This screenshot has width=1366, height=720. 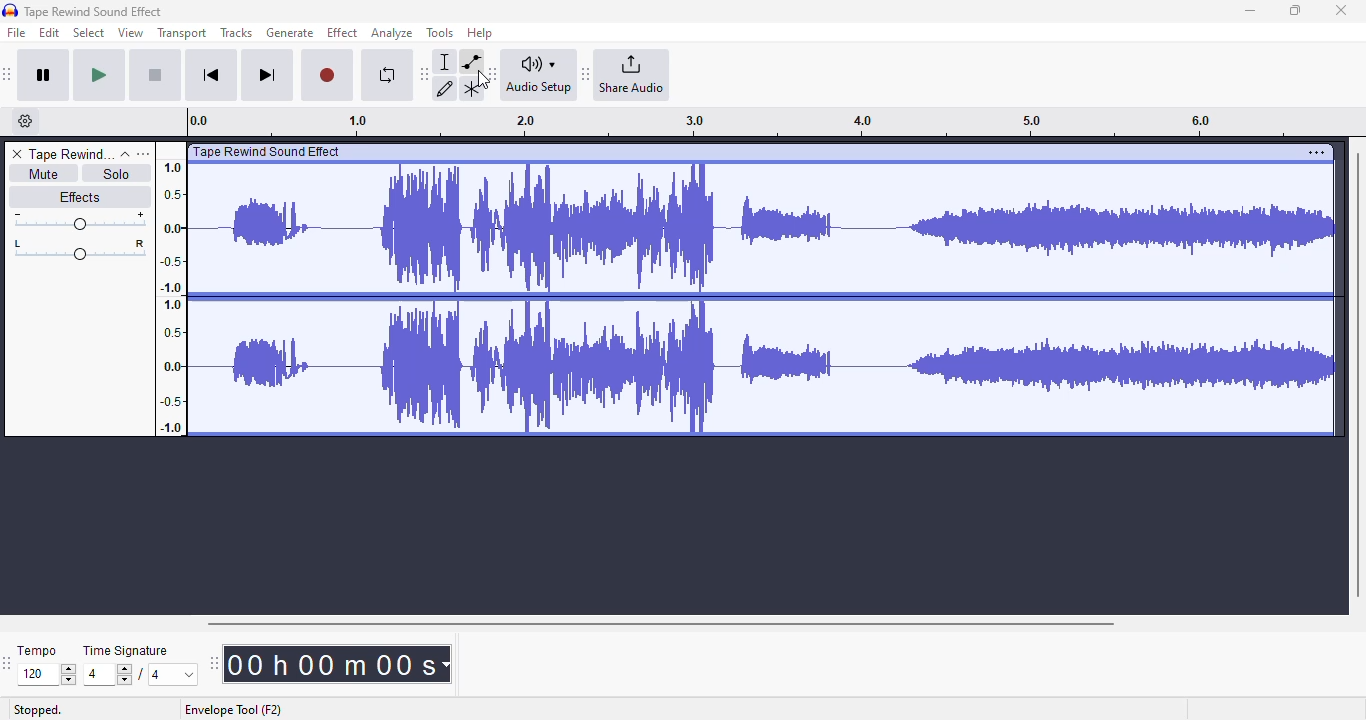 I want to click on Input for time signature, so click(x=108, y=675).